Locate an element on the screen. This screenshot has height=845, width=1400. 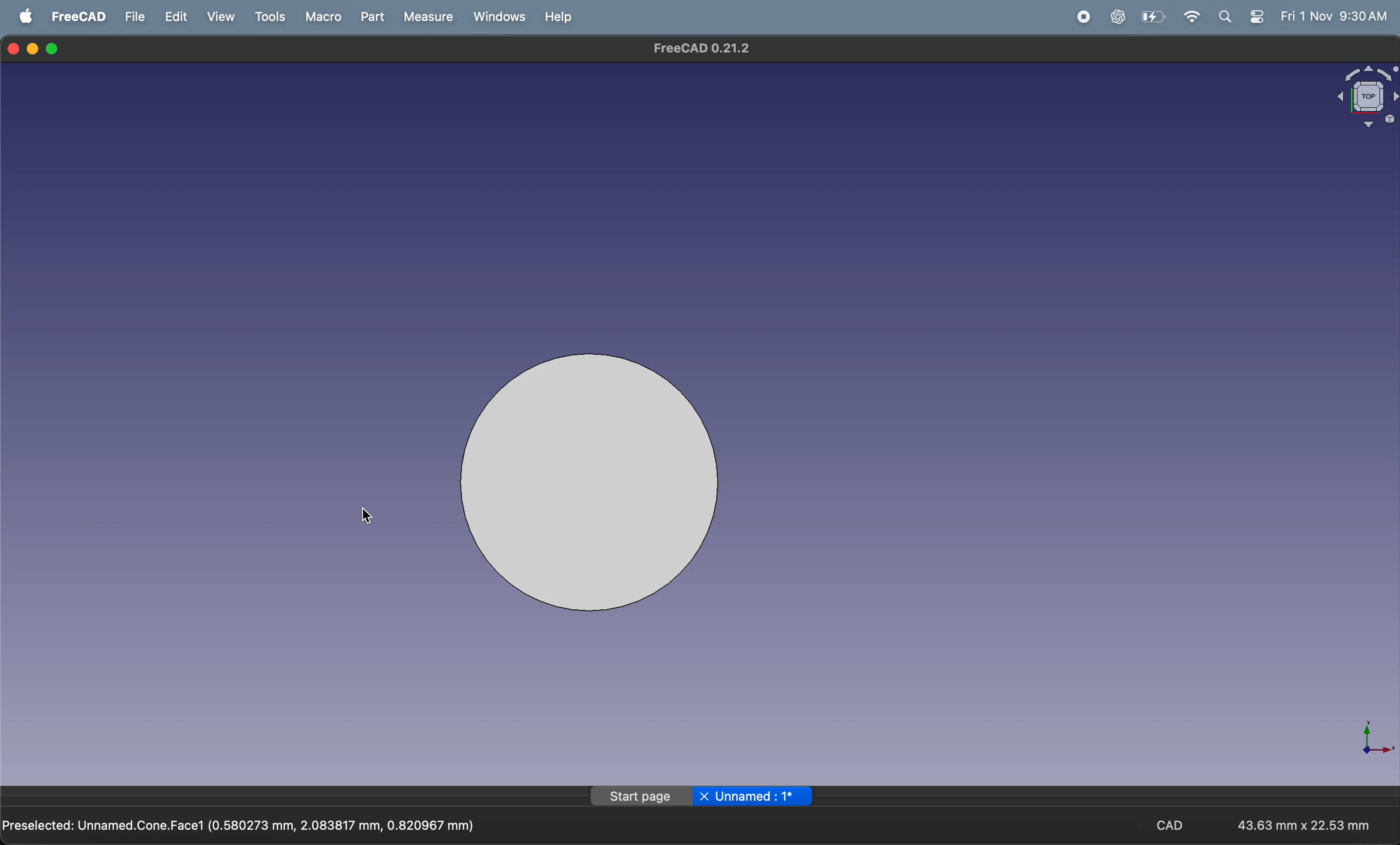
file is located at coordinates (136, 16).